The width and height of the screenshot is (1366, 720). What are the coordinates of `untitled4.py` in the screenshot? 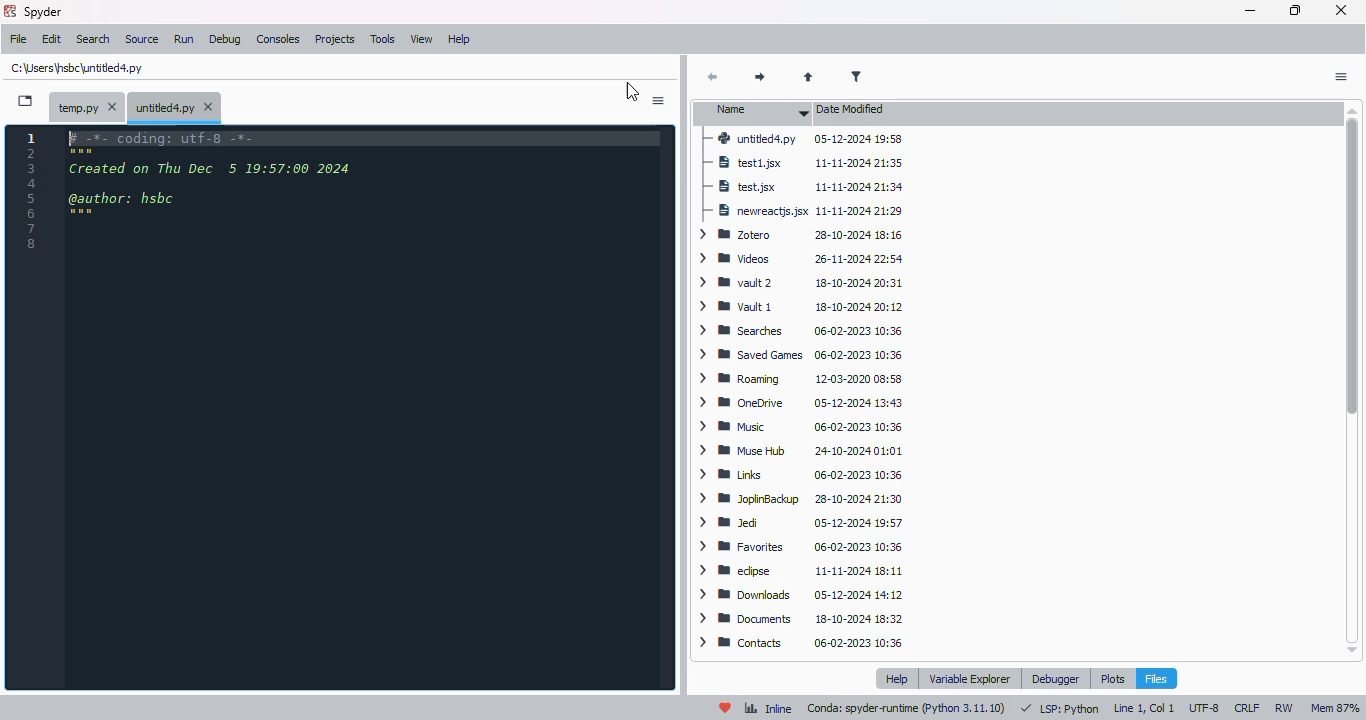 It's located at (79, 67).